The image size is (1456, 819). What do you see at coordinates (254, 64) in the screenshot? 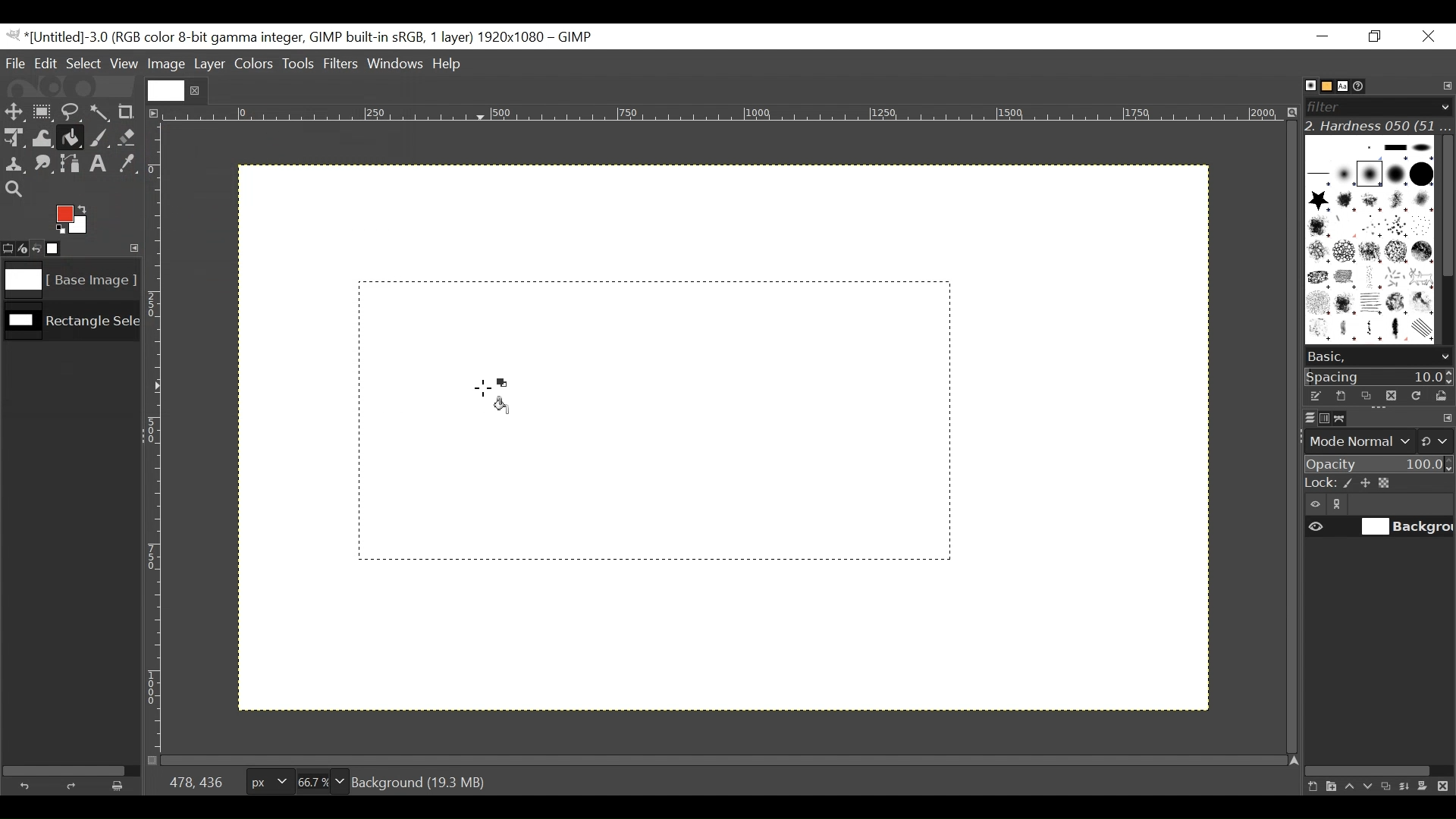
I see `Colors` at bounding box center [254, 64].